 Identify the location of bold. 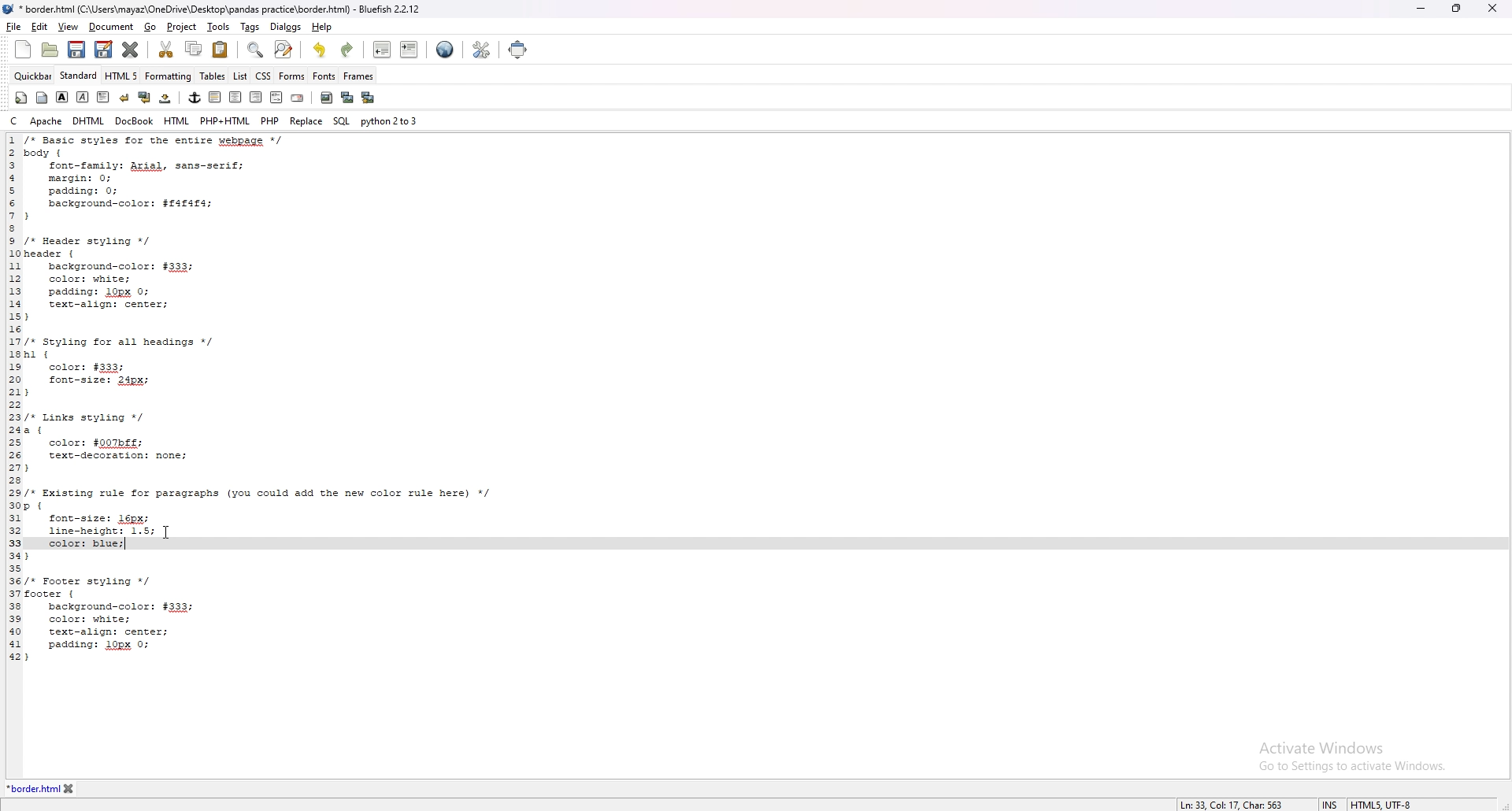
(63, 97).